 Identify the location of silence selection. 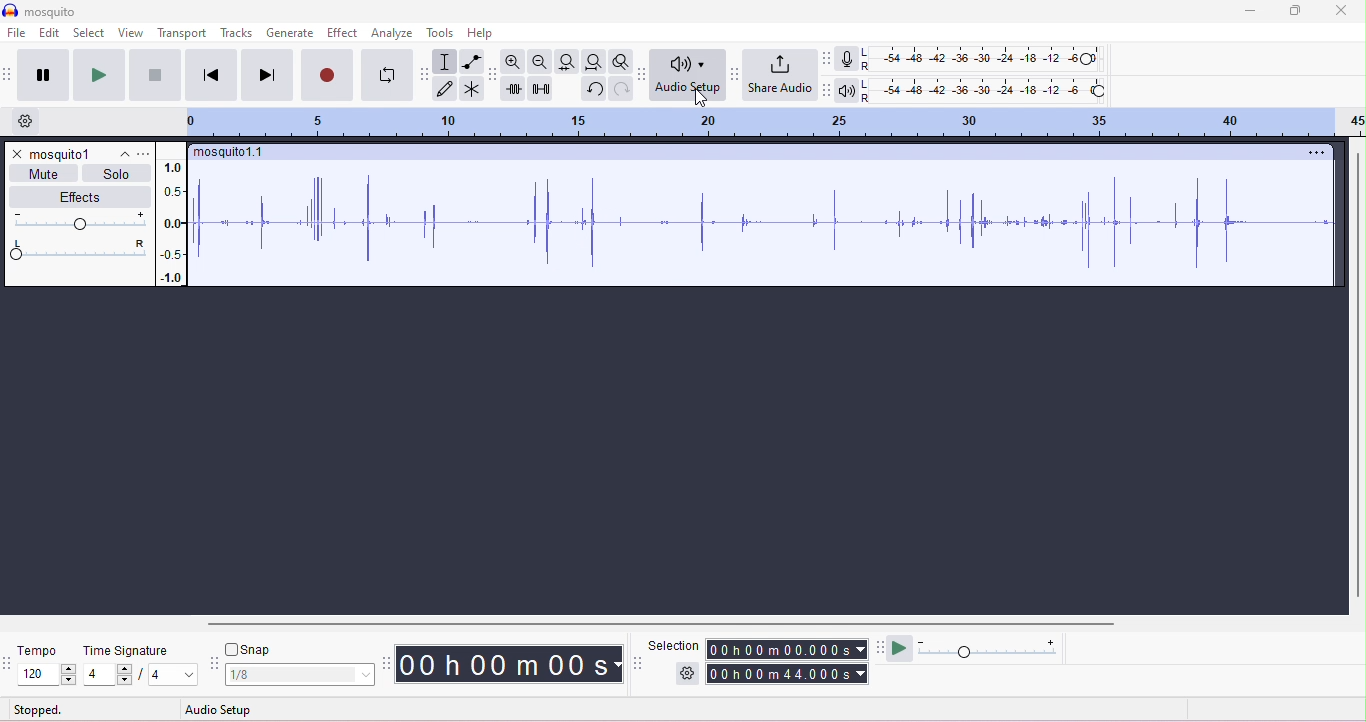
(542, 90).